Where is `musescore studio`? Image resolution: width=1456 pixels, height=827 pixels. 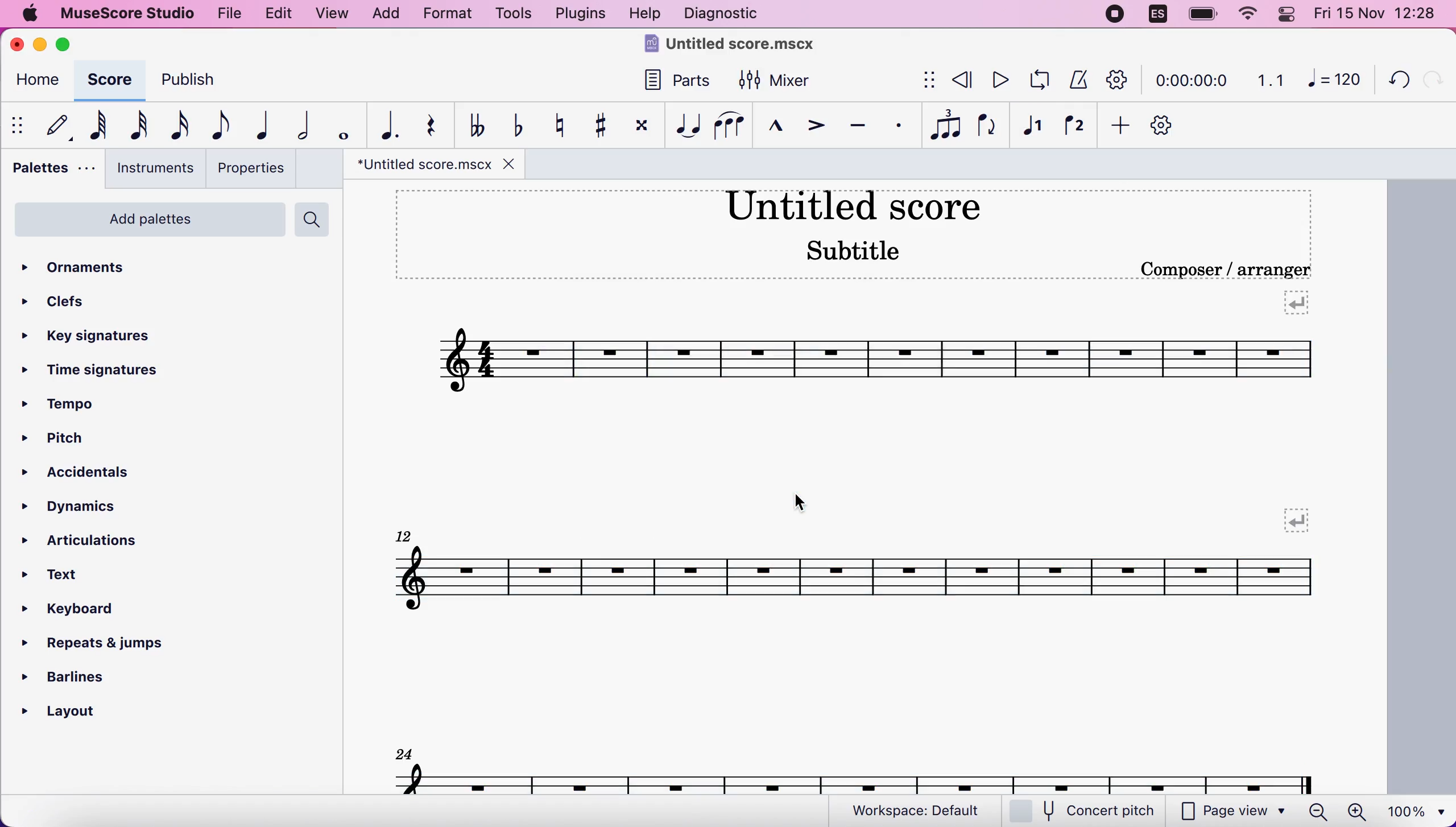
musescore studio is located at coordinates (125, 14).